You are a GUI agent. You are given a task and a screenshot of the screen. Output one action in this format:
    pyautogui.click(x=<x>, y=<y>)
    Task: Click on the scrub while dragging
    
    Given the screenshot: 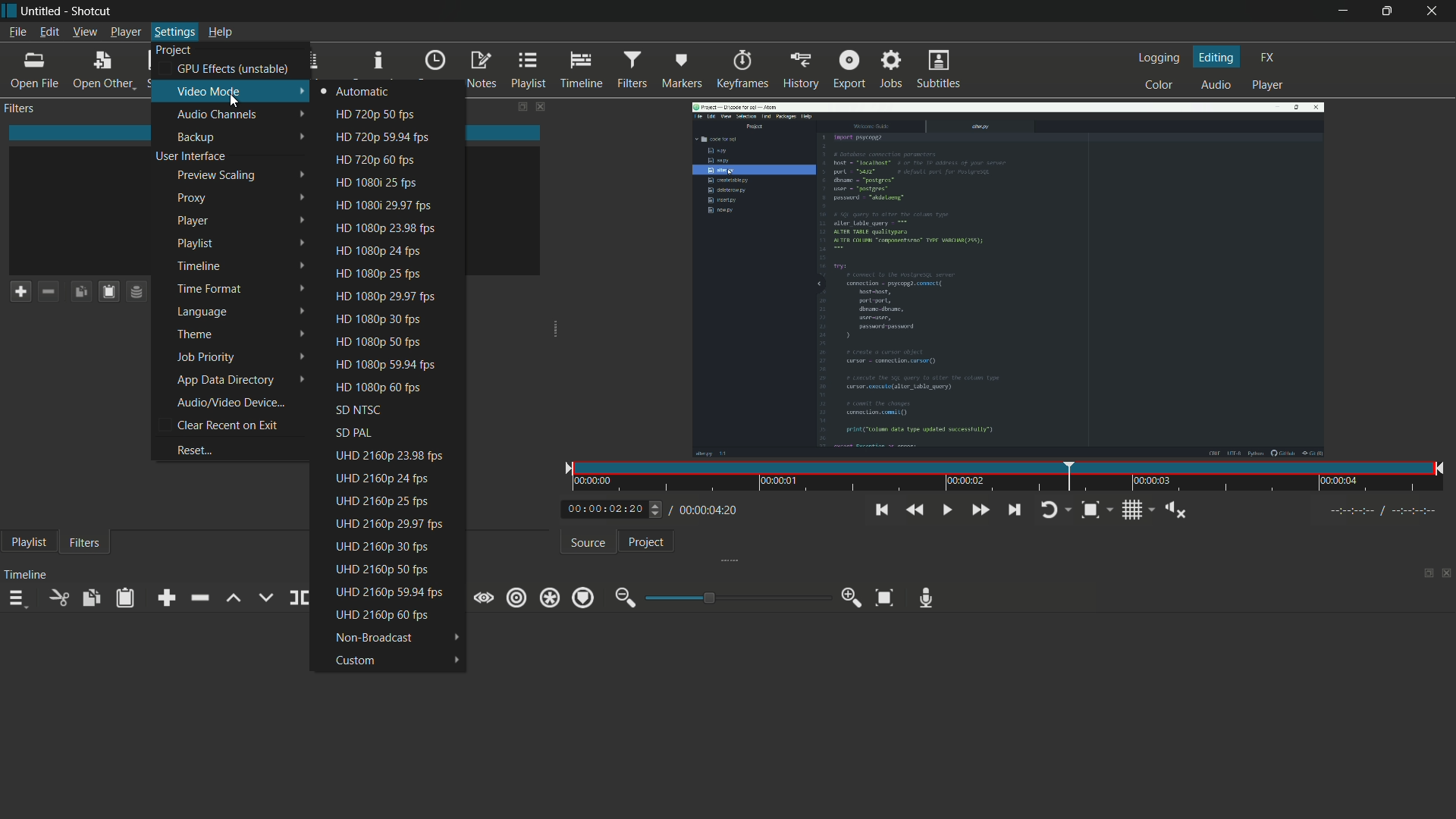 What is the action you would take?
    pyautogui.click(x=485, y=597)
    